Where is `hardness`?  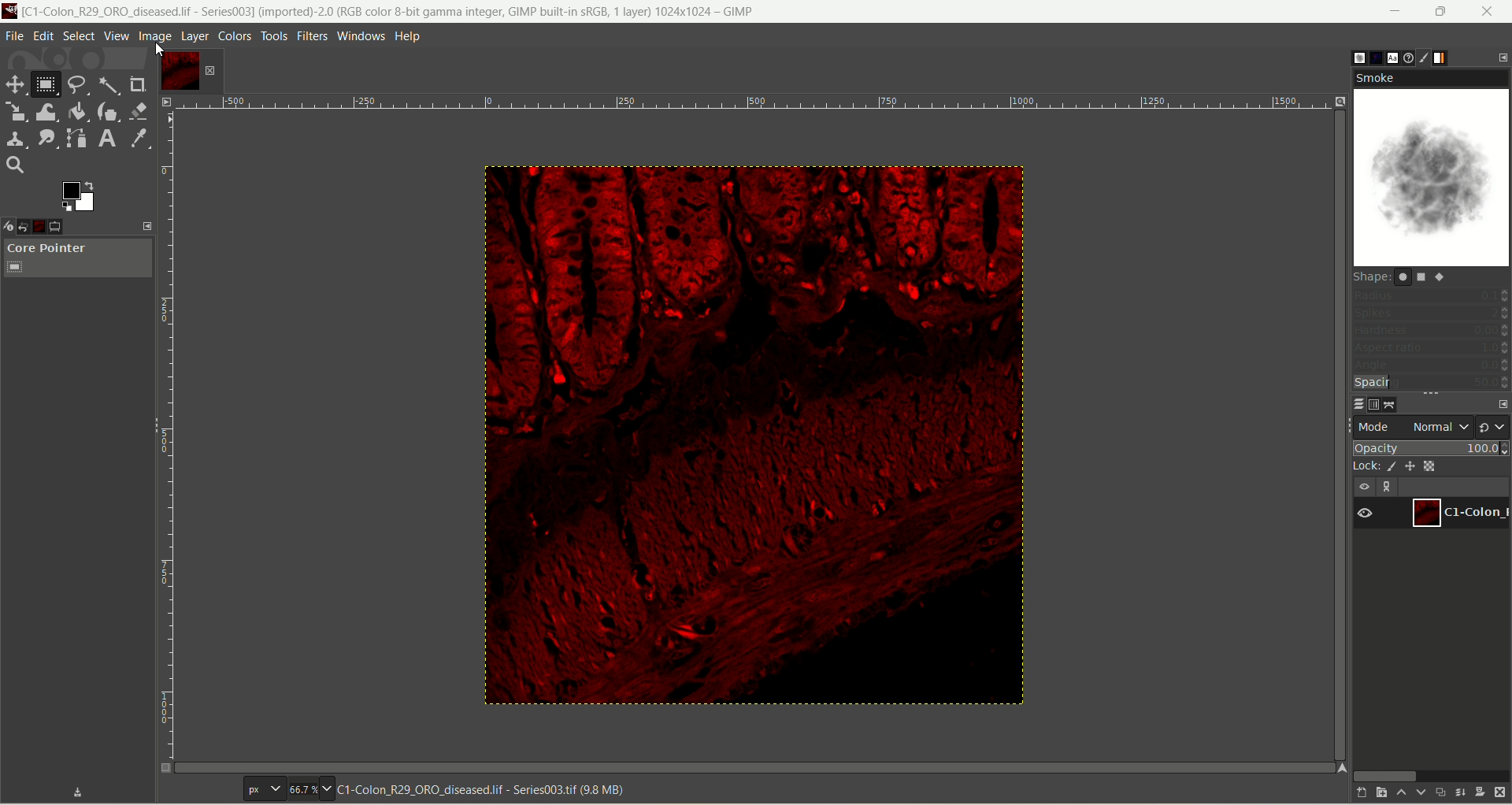
hardness is located at coordinates (1432, 332).